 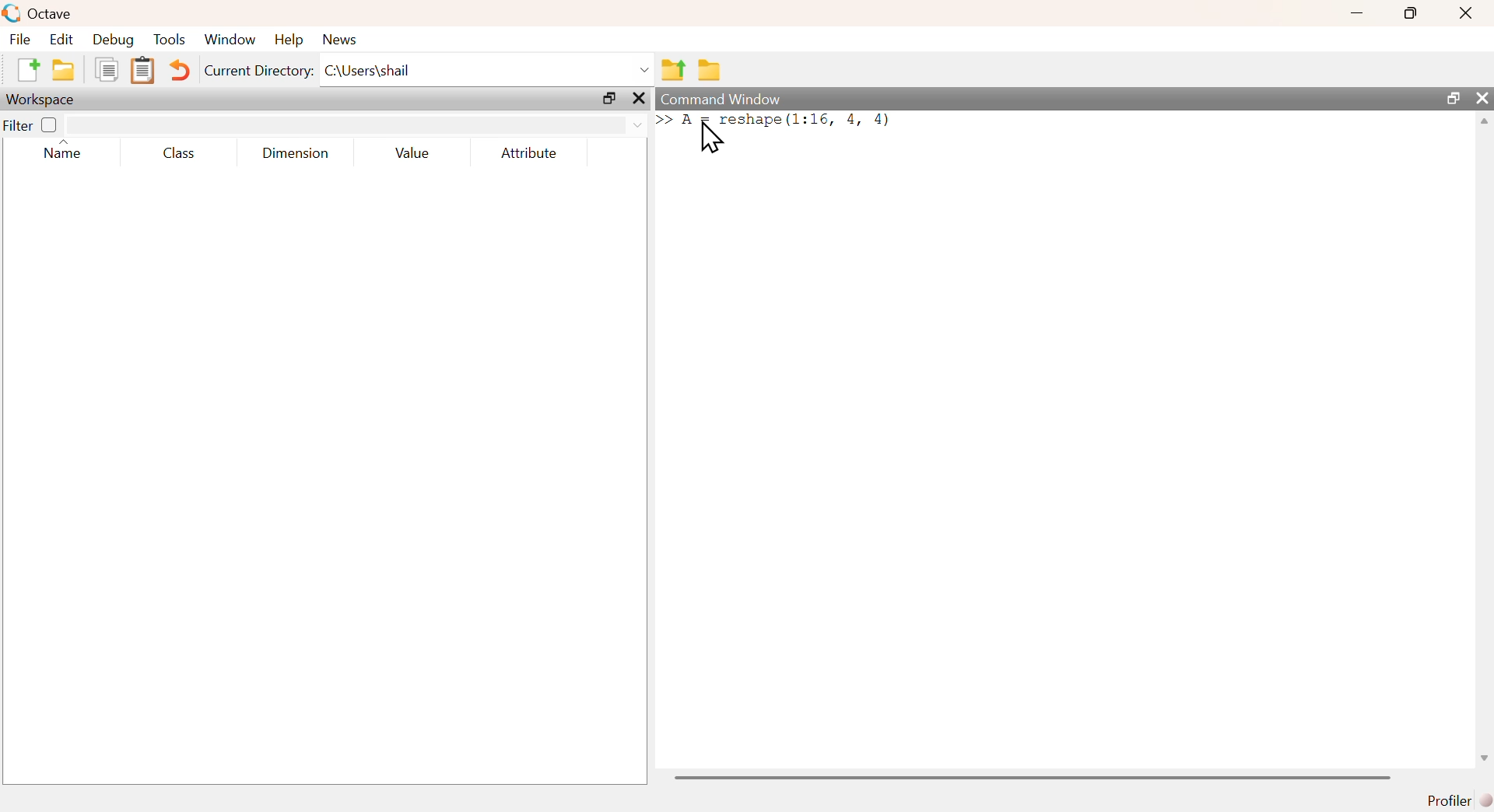 I want to click on maximize, so click(x=1408, y=13).